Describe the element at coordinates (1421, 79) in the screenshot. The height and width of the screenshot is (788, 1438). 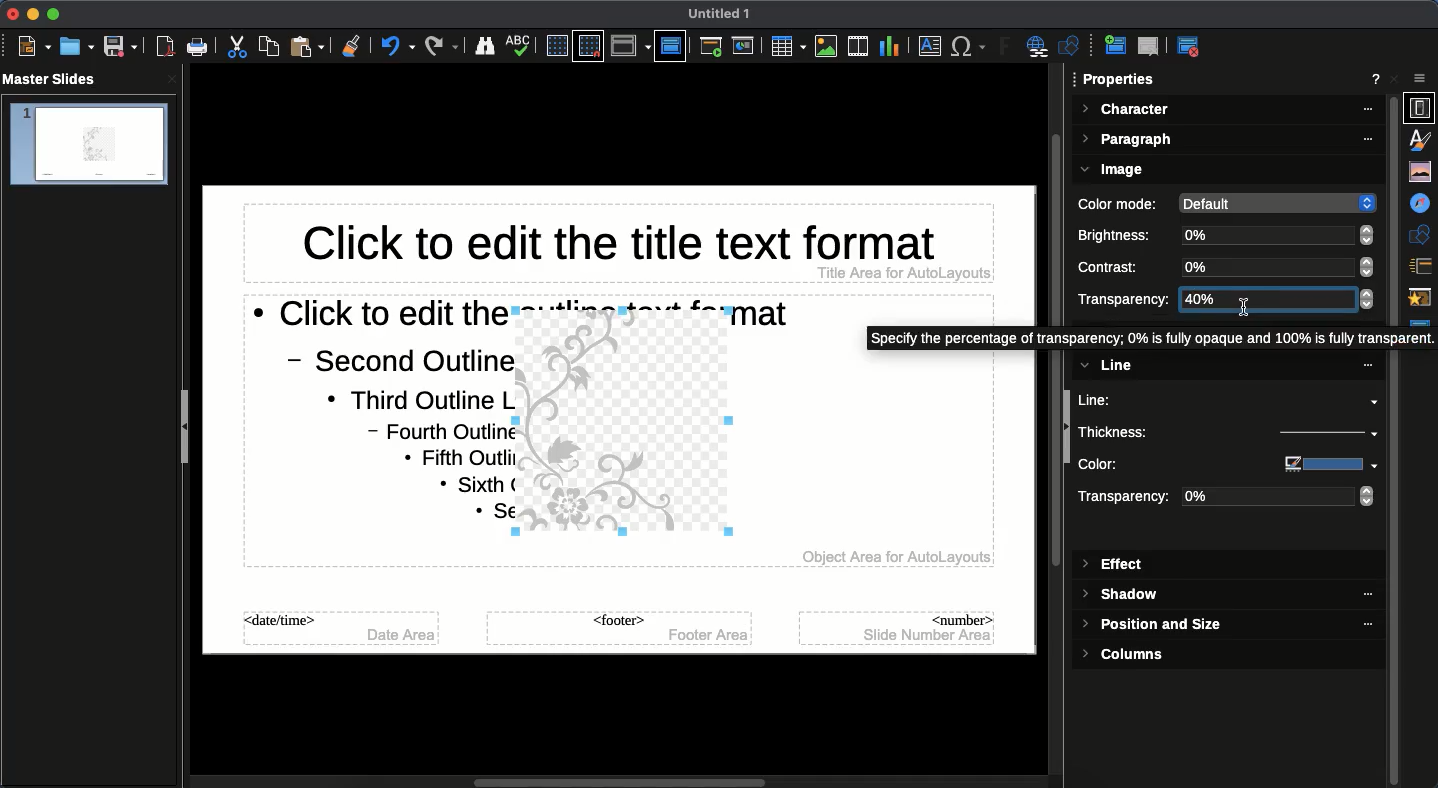
I see `options` at that location.